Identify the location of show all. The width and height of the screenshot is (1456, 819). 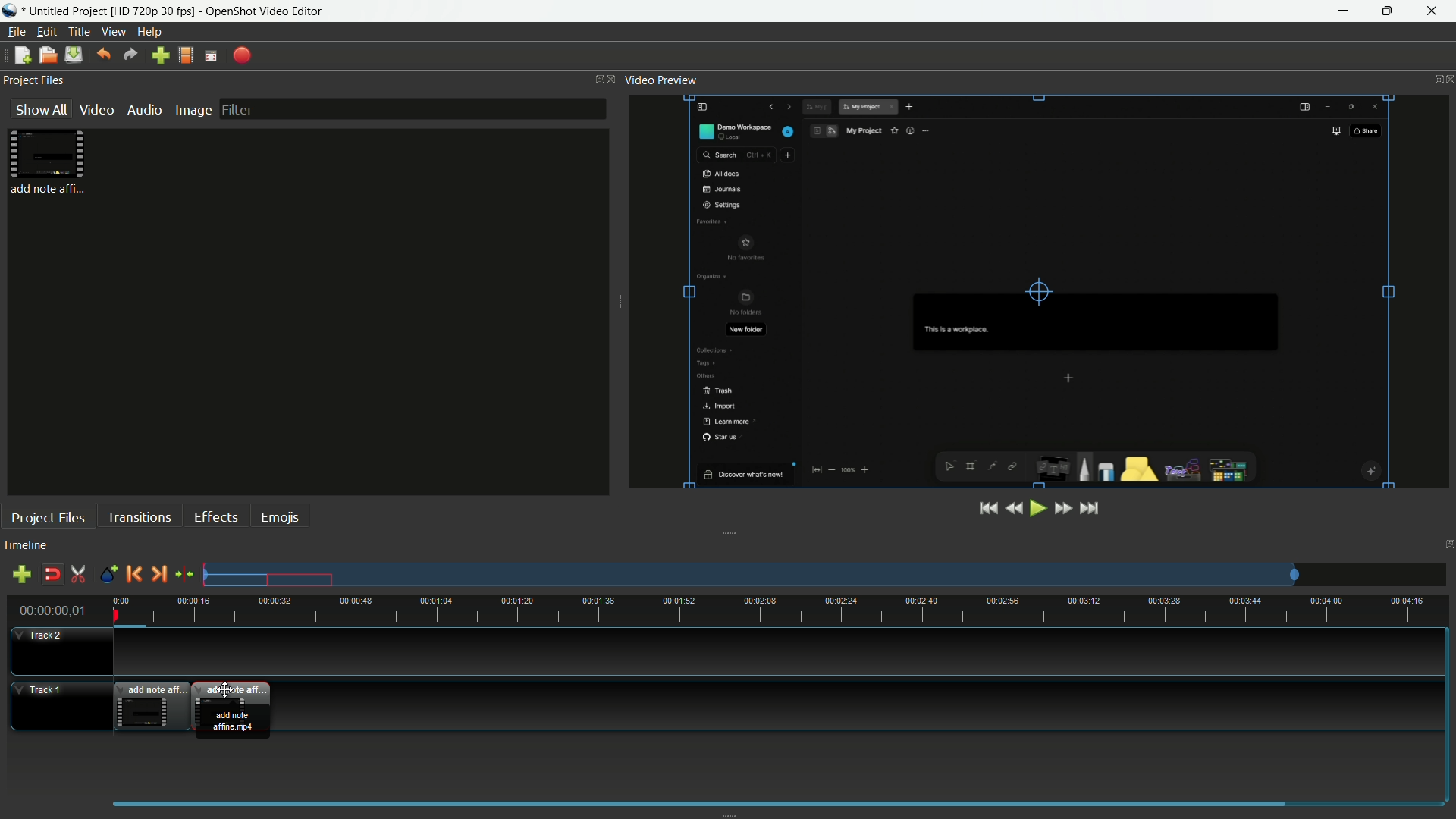
(38, 110).